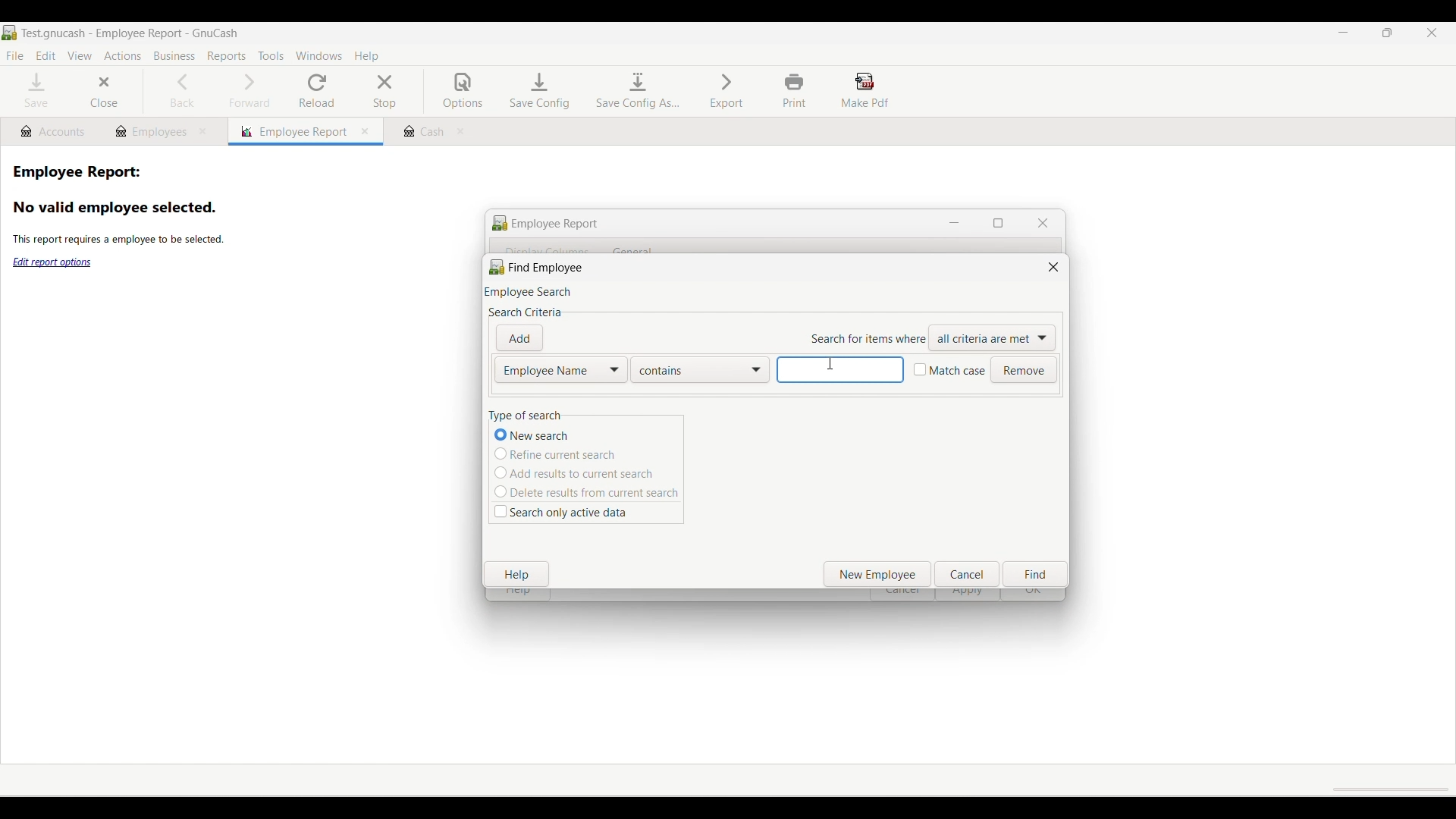 The image size is (1456, 819). Describe the element at coordinates (586, 491) in the screenshot. I see `Delete results from current search` at that location.